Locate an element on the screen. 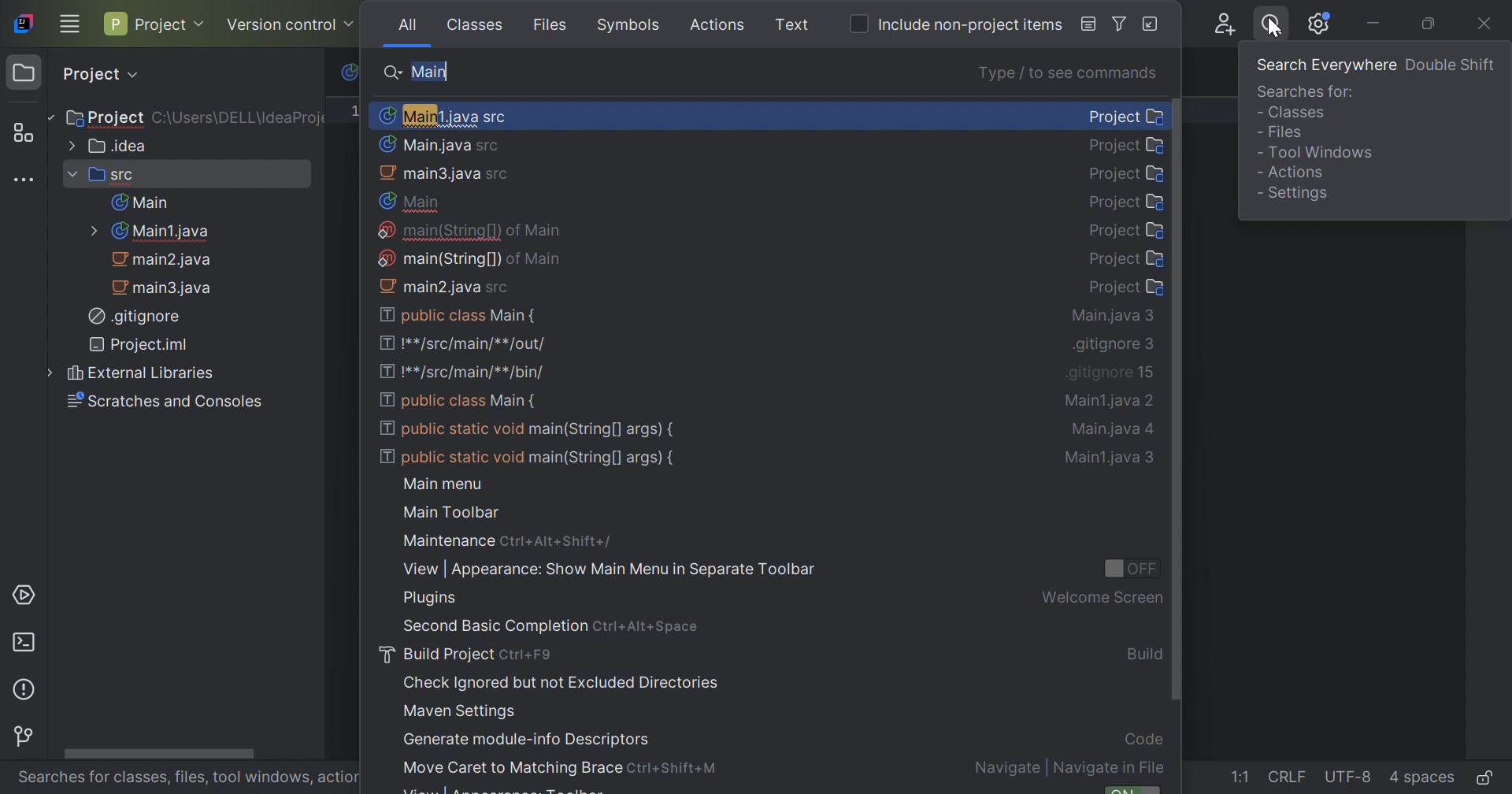  Maven Settings is located at coordinates (461, 713).